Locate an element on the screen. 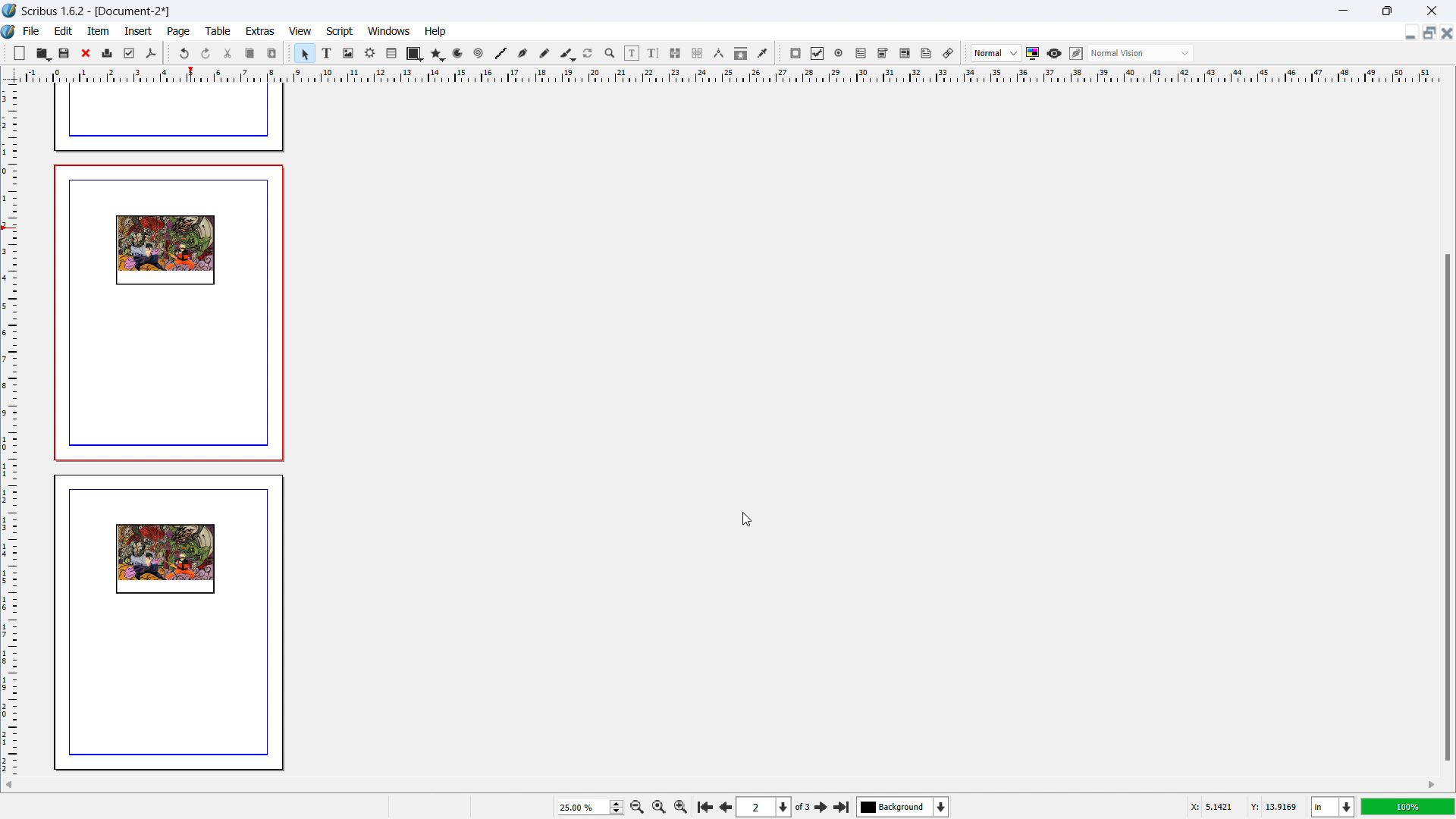  zoom level is located at coordinates (1408, 806).